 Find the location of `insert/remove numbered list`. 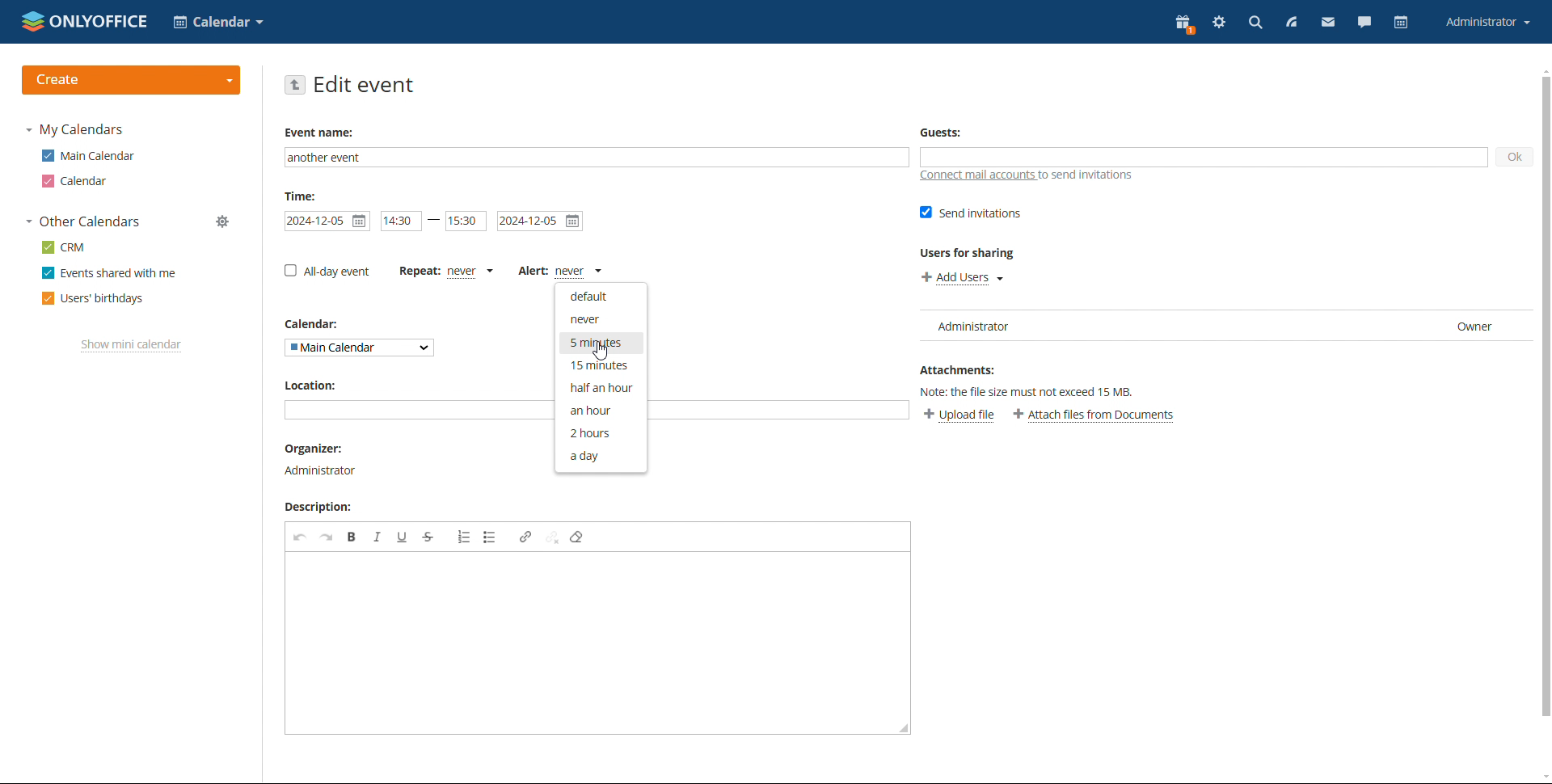

insert/remove numbered list is located at coordinates (463, 537).